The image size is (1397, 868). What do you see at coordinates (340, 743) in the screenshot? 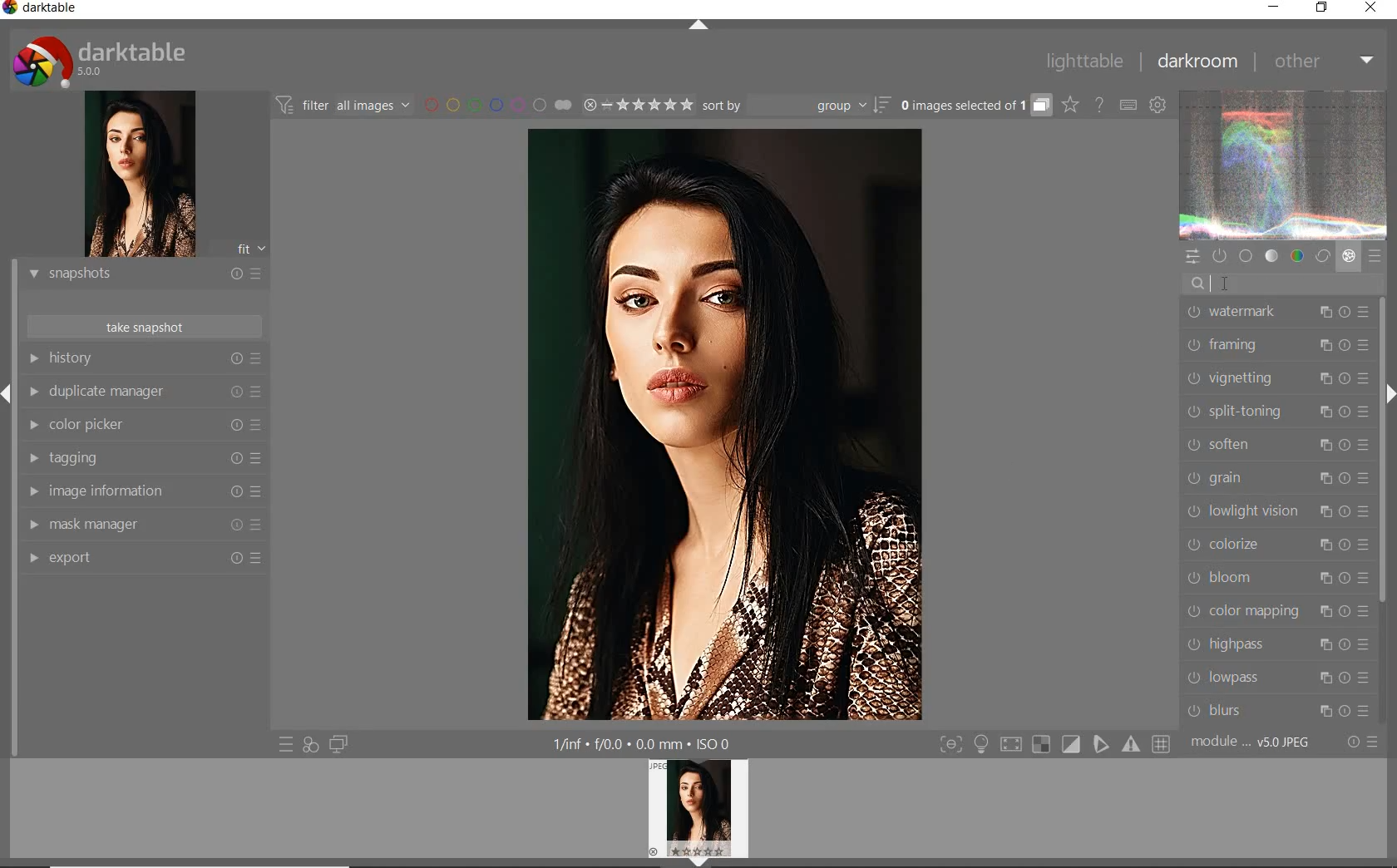
I see `display a second darkroom image below` at bounding box center [340, 743].